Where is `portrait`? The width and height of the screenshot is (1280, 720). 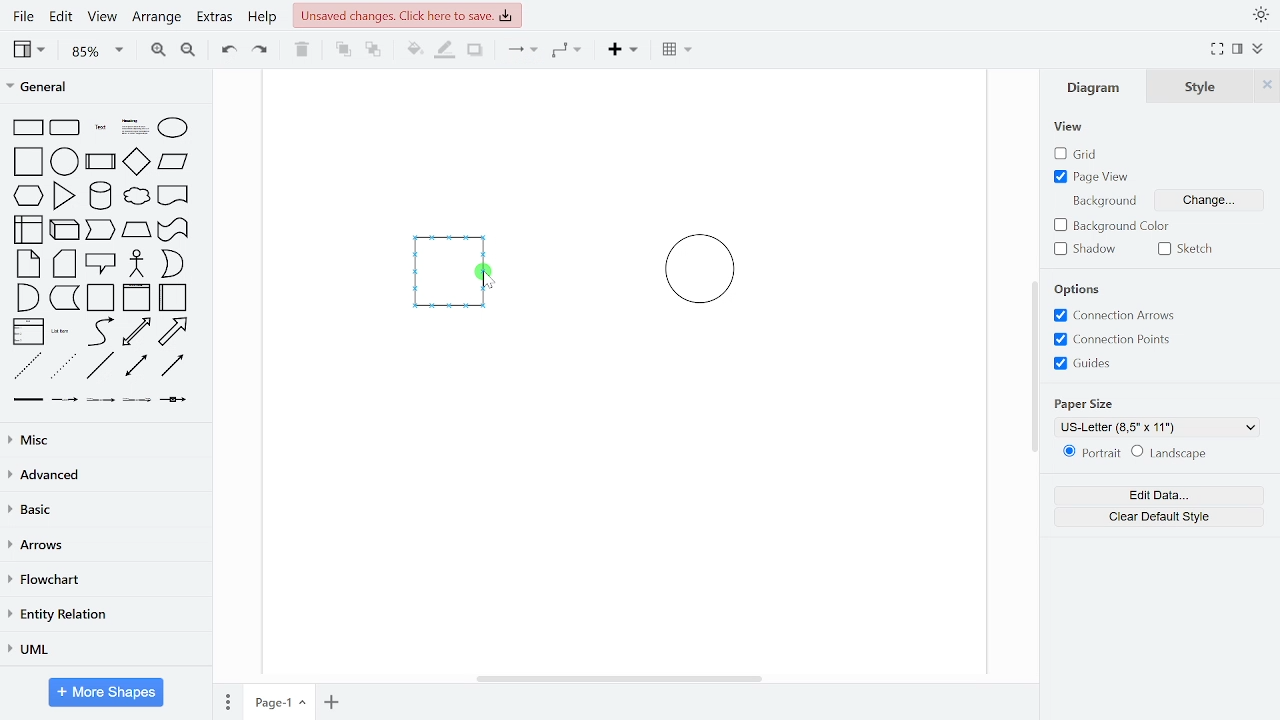 portrait is located at coordinates (1092, 453).